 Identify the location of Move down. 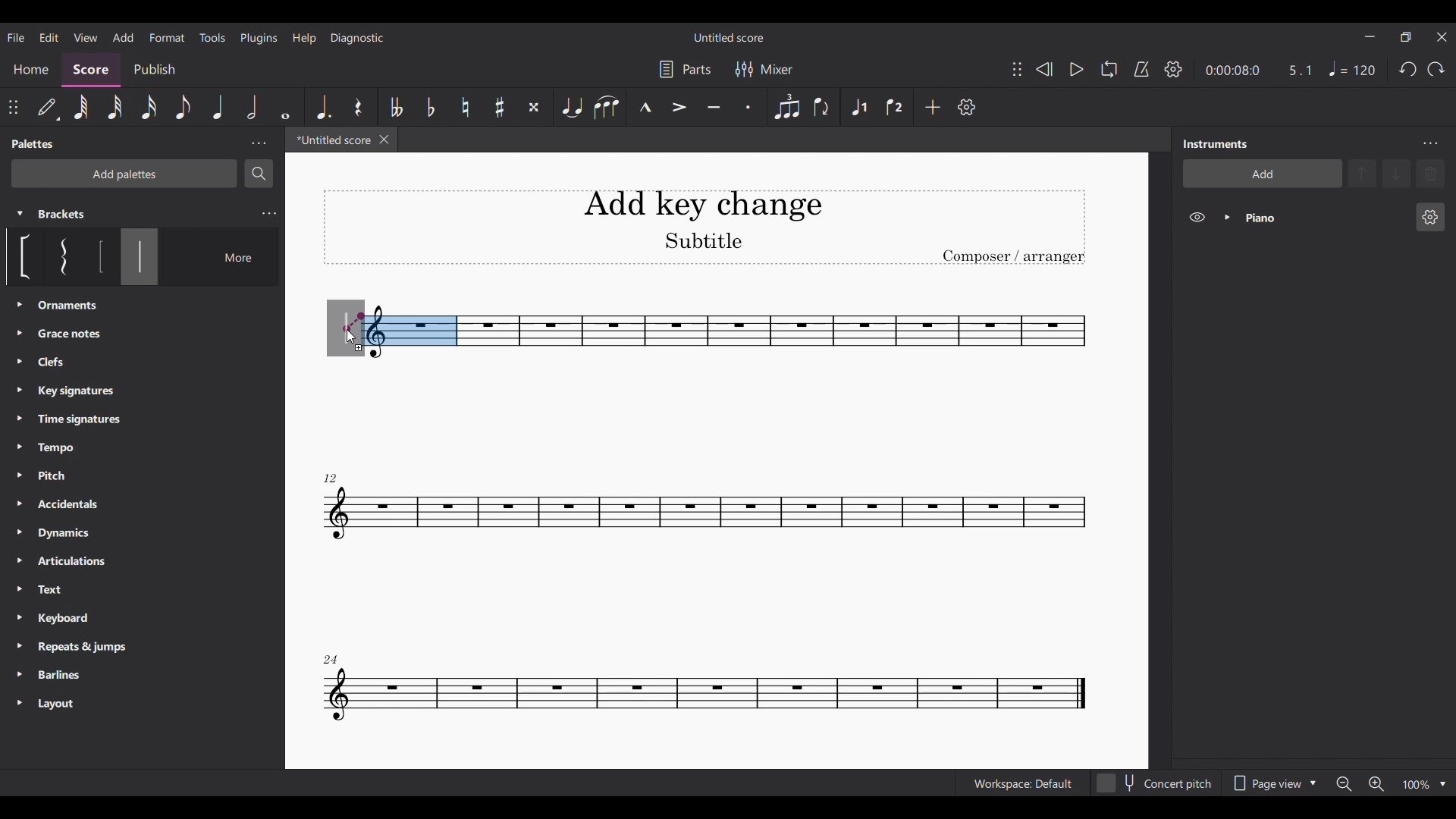
(1397, 174).